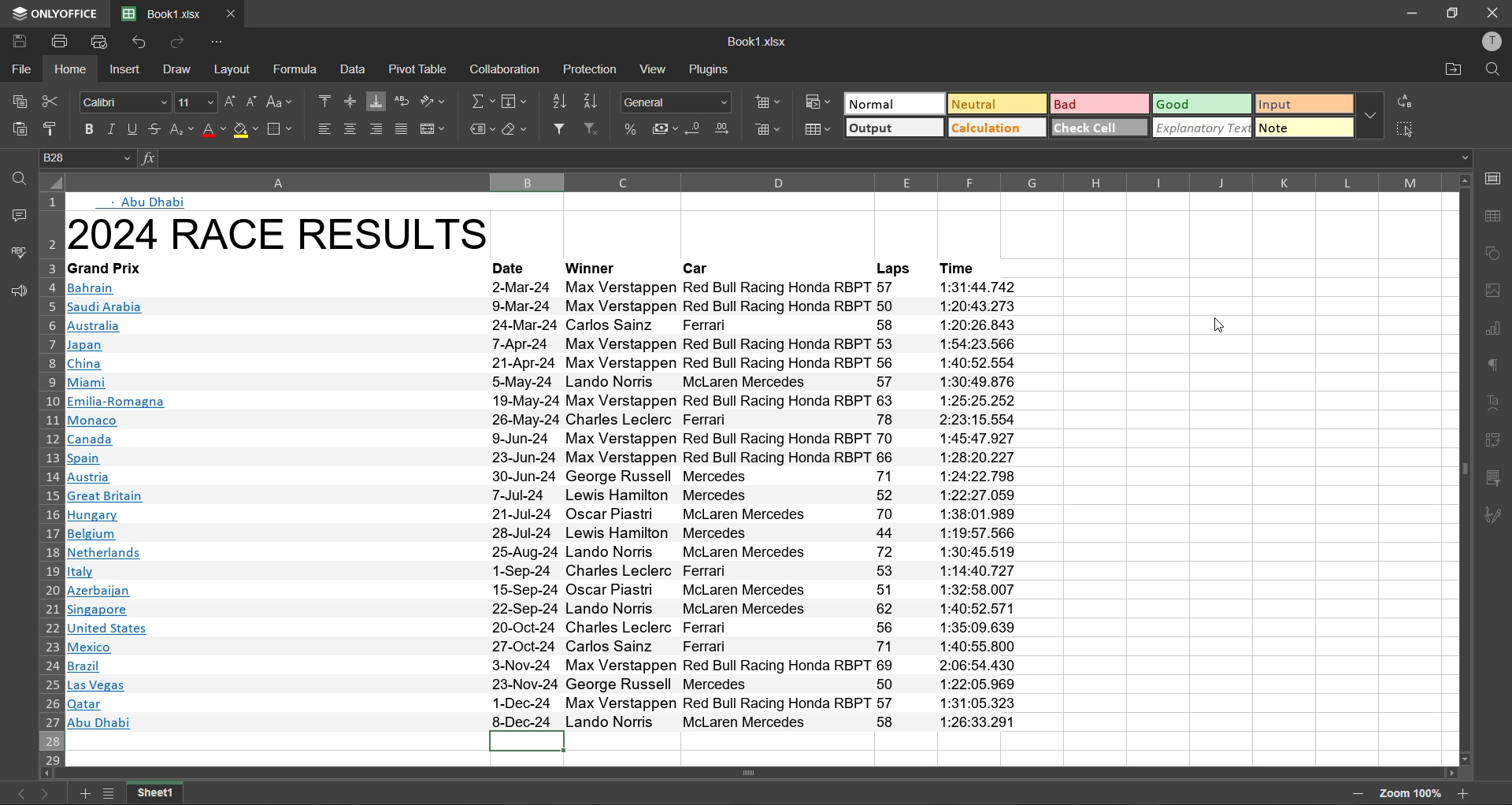 The width and height of the screenshot is (1512, 805). Describe the element at coordinates (18, 41) in the screenshot. I see `save` at that location.